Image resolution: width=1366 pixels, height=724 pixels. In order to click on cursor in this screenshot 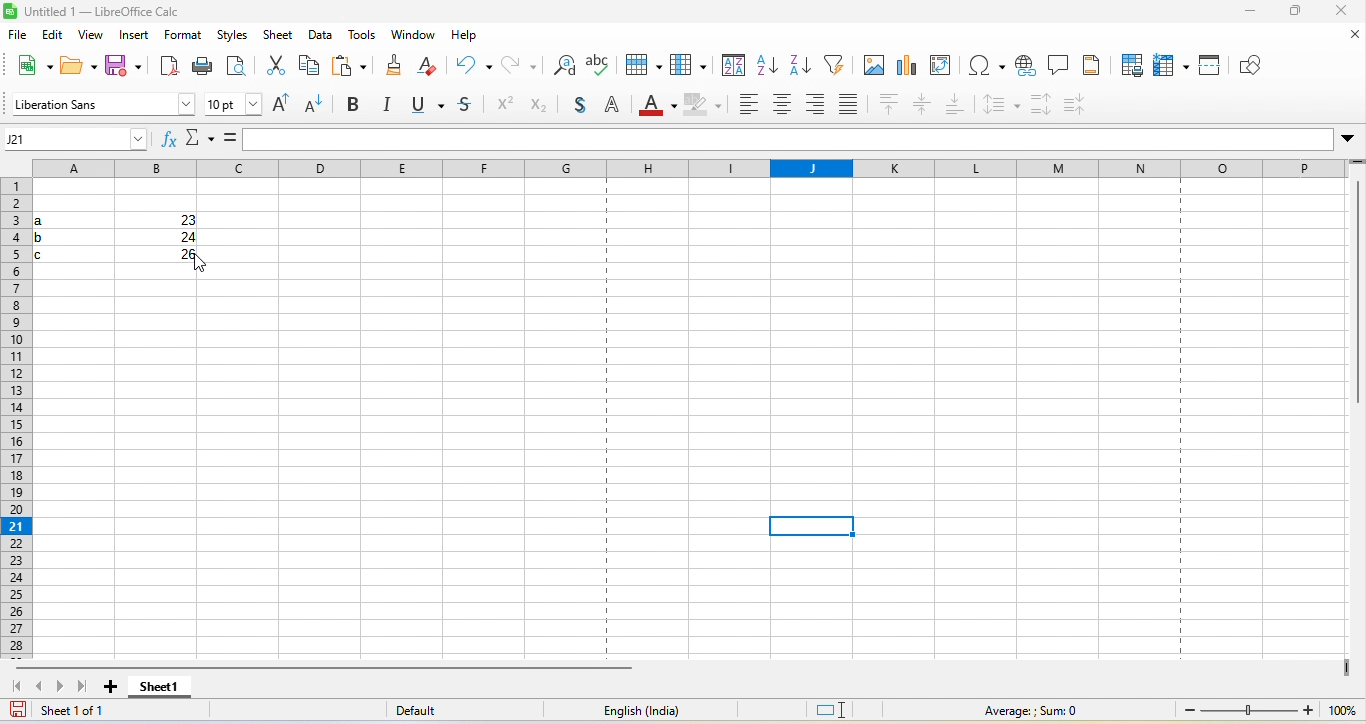, I will do `click(201, 265)`.